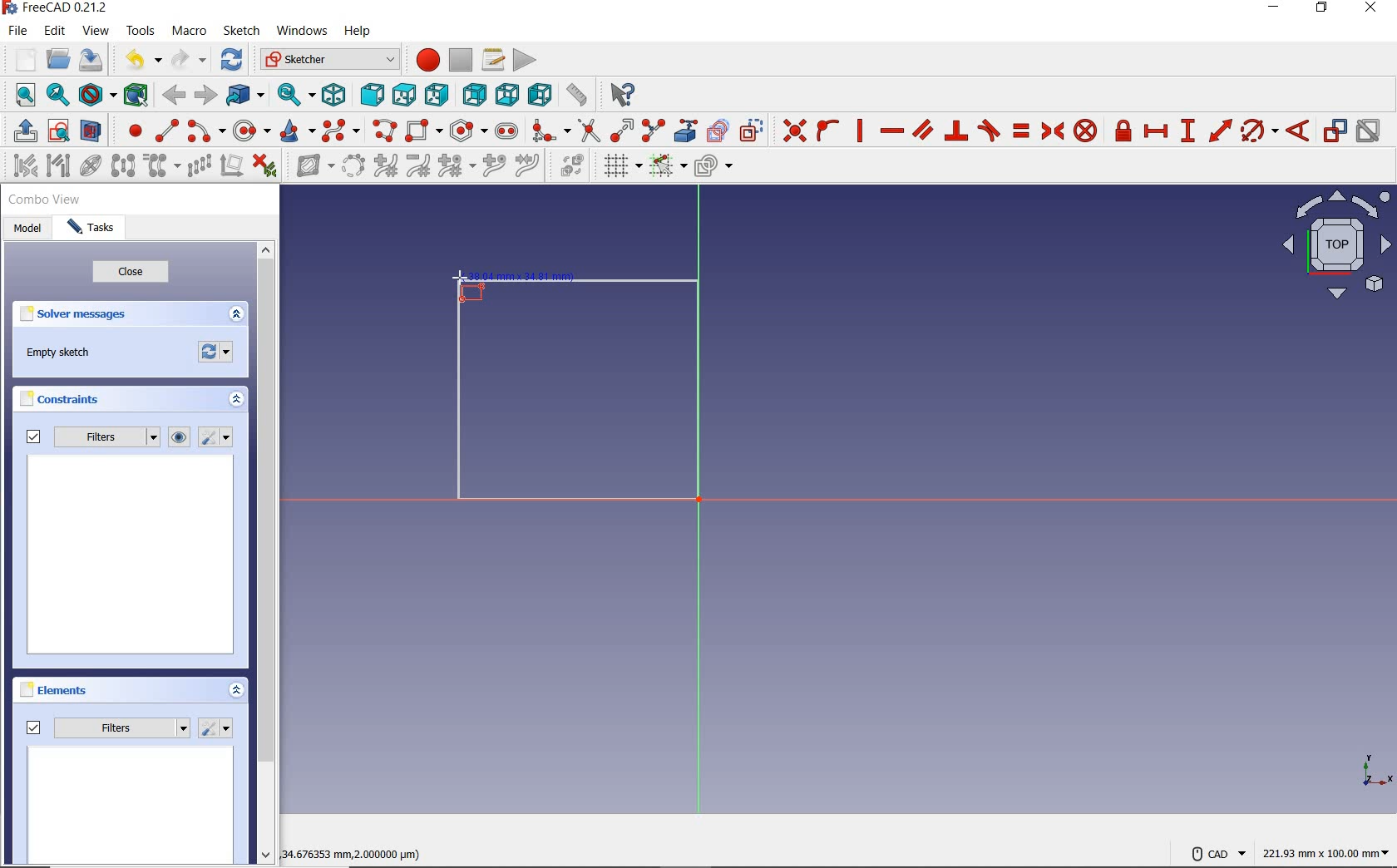 The height and width of the screenshot is (868, 1397). I want to click on model, so click(27, 229).